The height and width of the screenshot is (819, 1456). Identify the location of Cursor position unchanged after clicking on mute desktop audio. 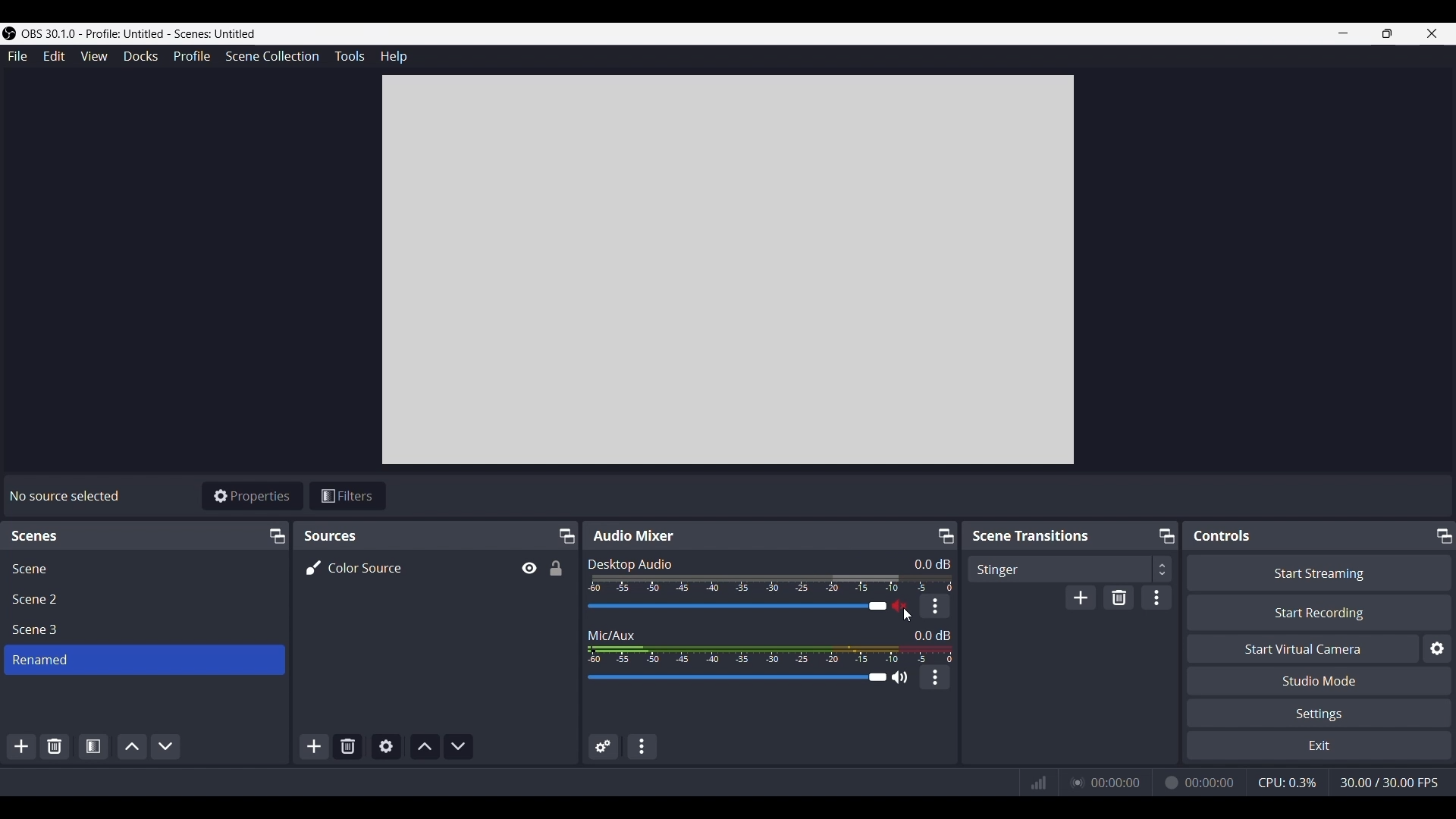
(908, 615).